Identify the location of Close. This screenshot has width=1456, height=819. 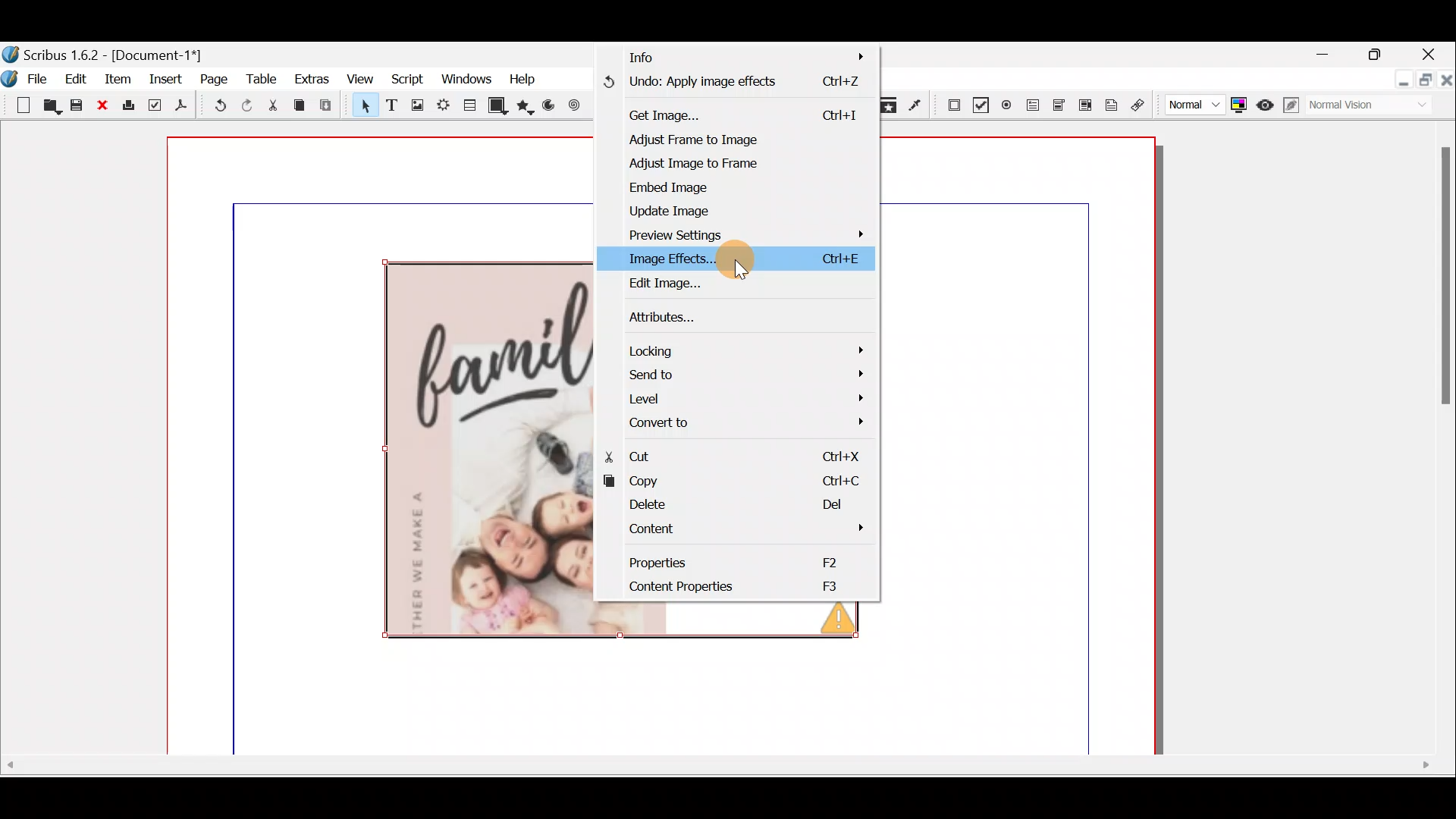
(1433, 54).